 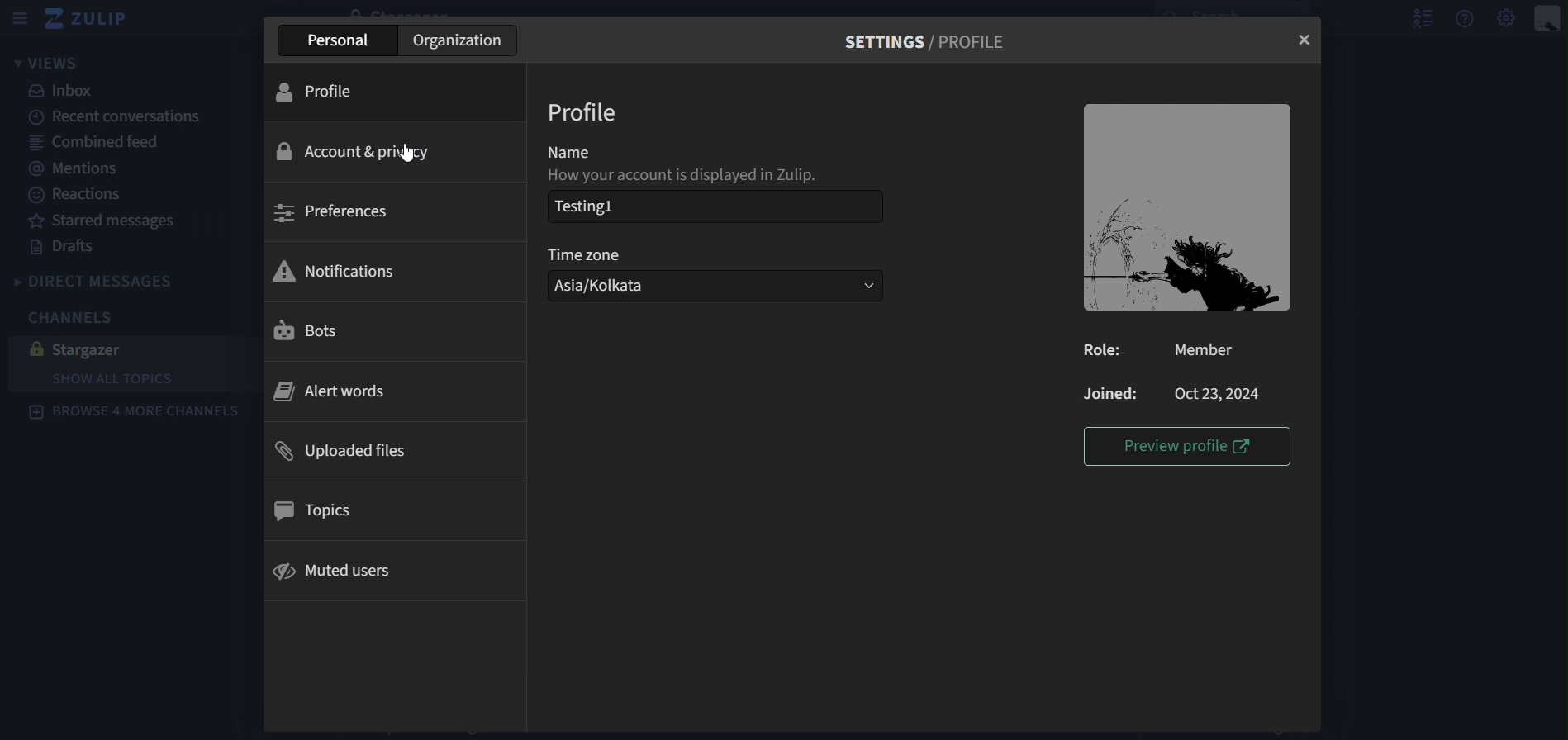 I want to click on direct messages, so click(x=118, y=280).